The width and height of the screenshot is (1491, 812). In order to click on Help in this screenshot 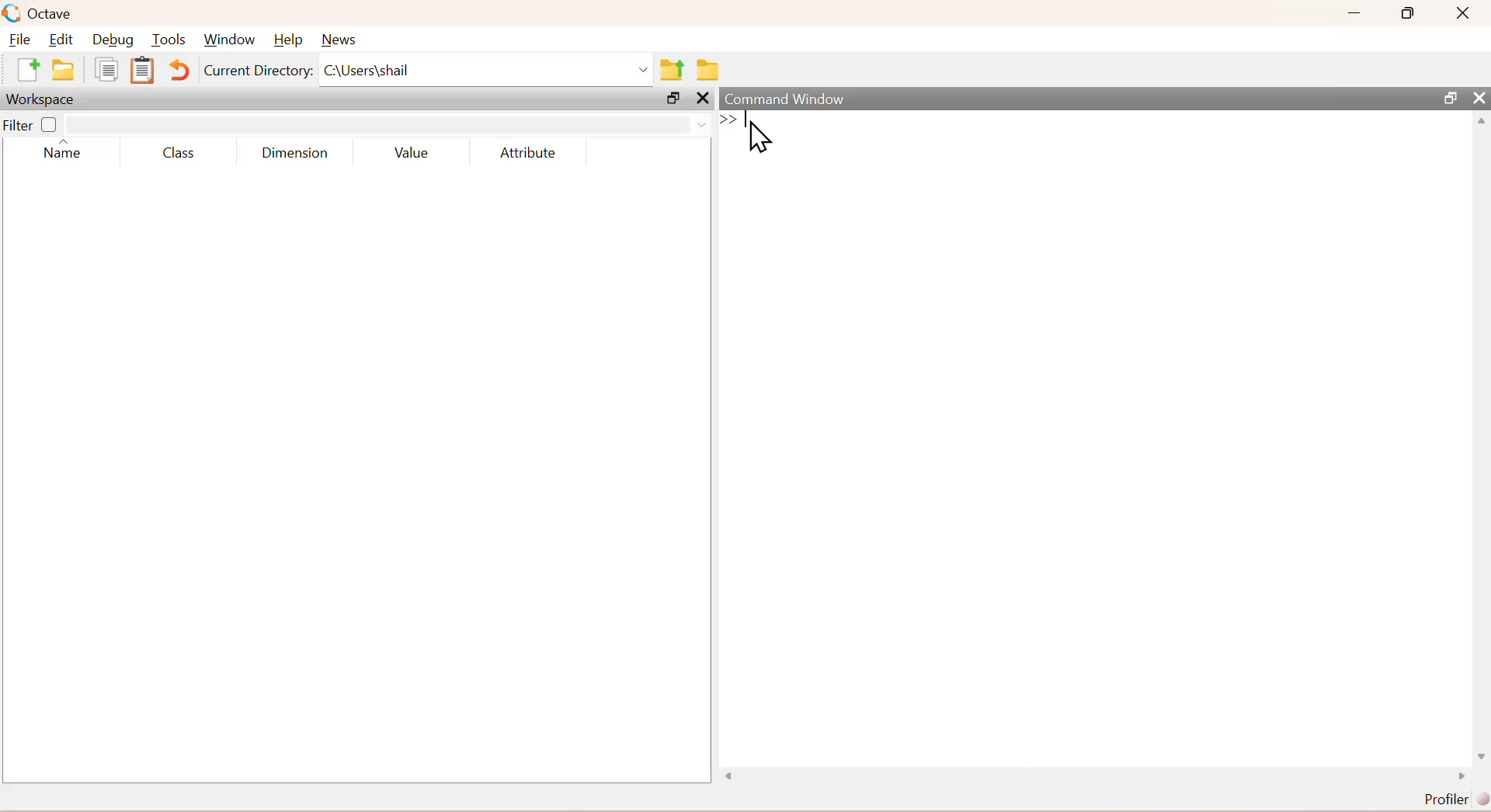, I will do `click(290, 36)`.